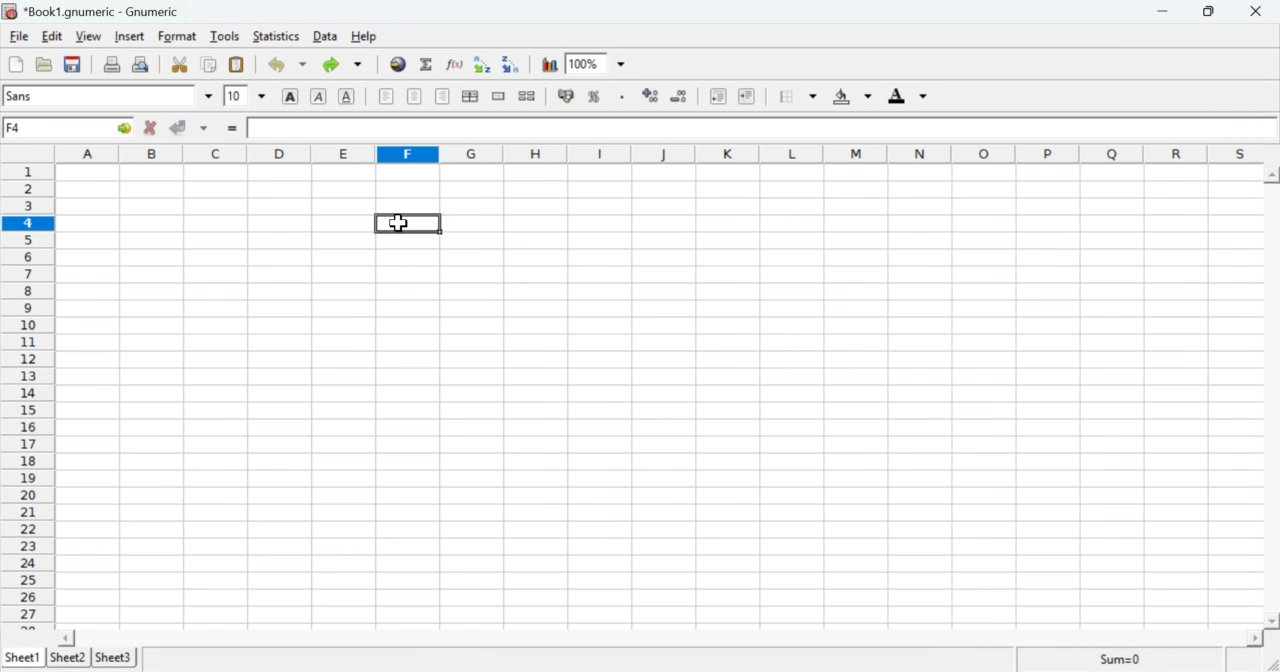 This screenshot has width=1280, height=672. I want to click on Undo, so click(279, 64).